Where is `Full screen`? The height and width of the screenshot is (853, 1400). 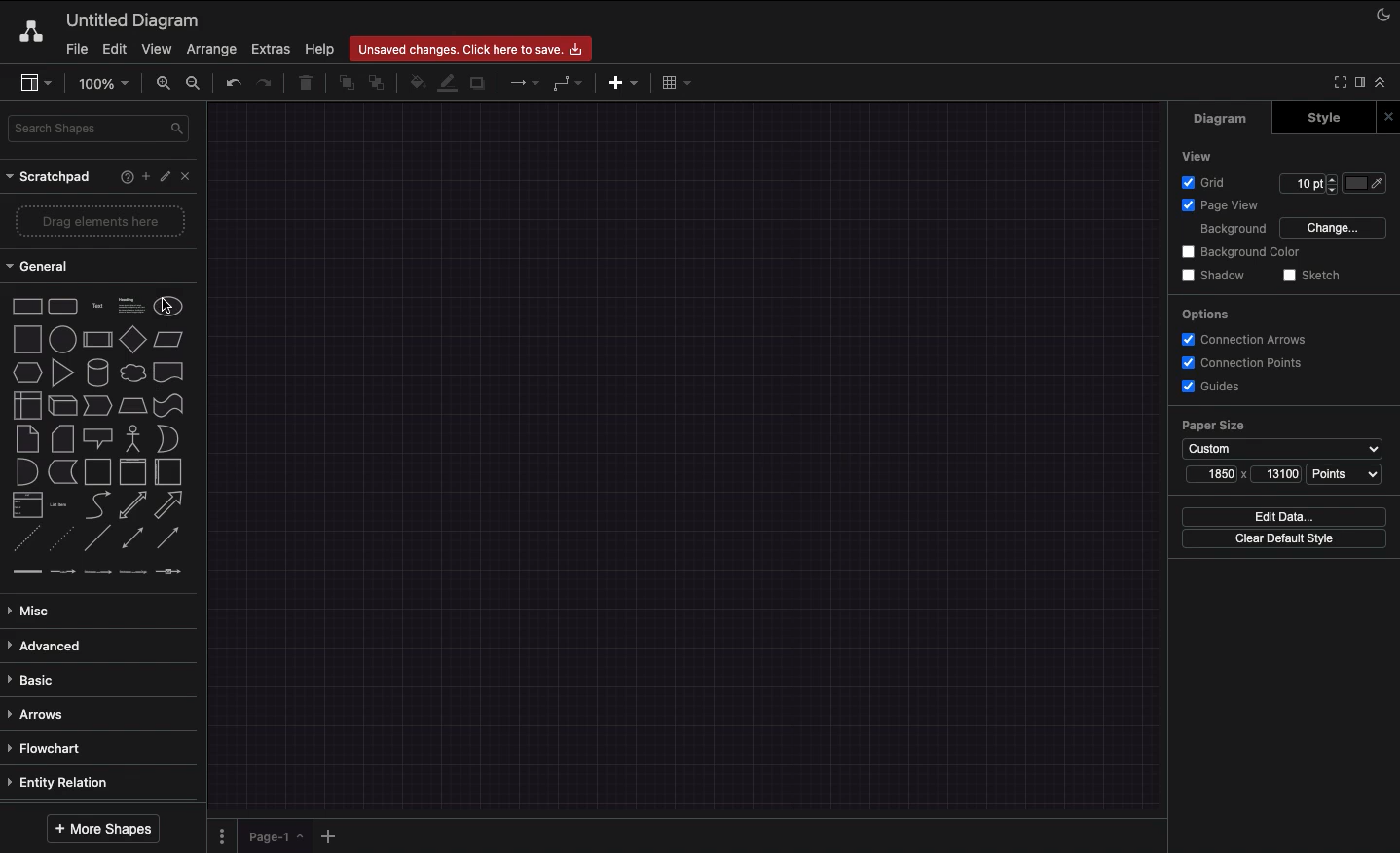
Full screen is located at coordinates (1338, 81).